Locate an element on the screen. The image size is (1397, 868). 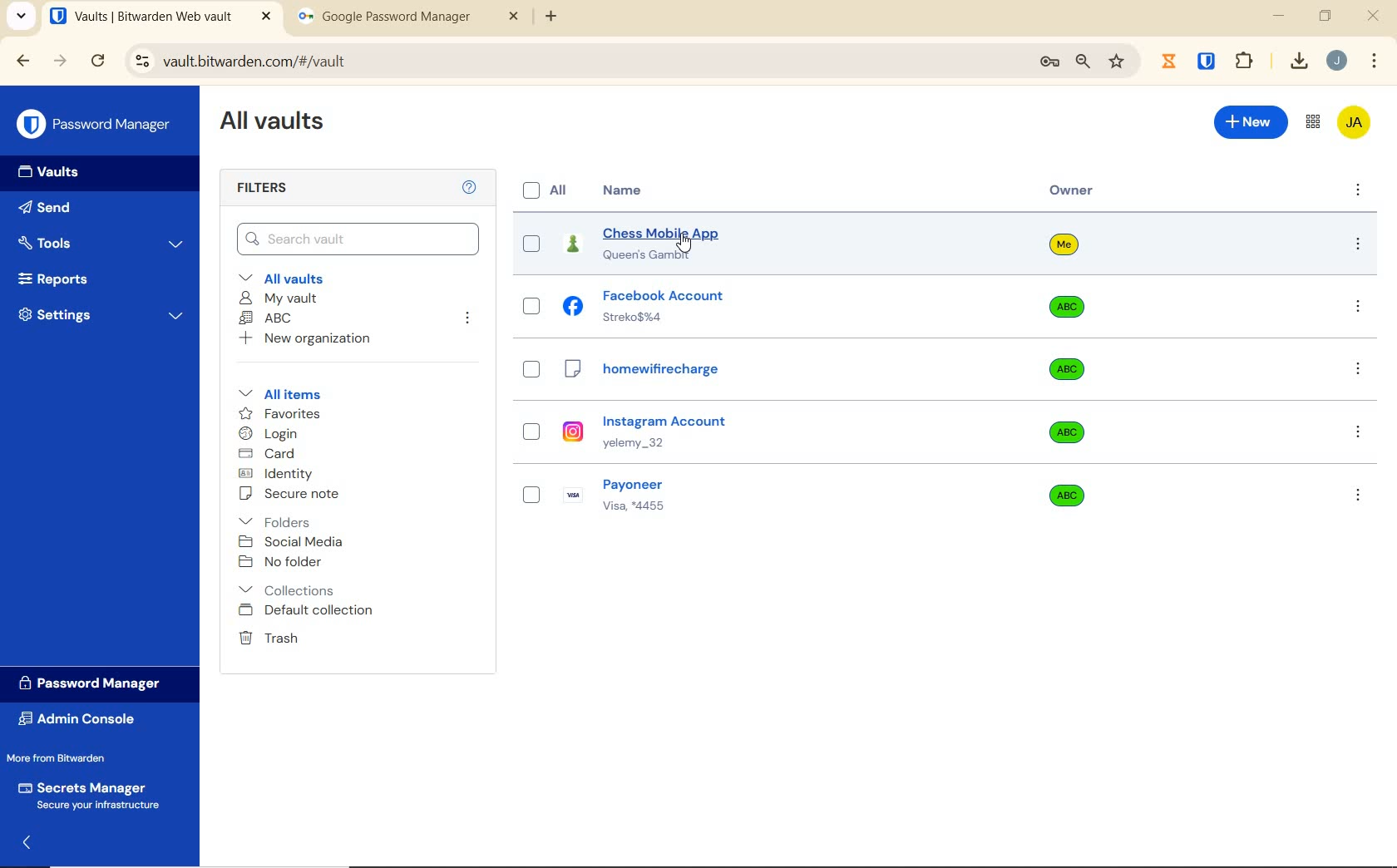
All items is located at coordinates (280, 394).